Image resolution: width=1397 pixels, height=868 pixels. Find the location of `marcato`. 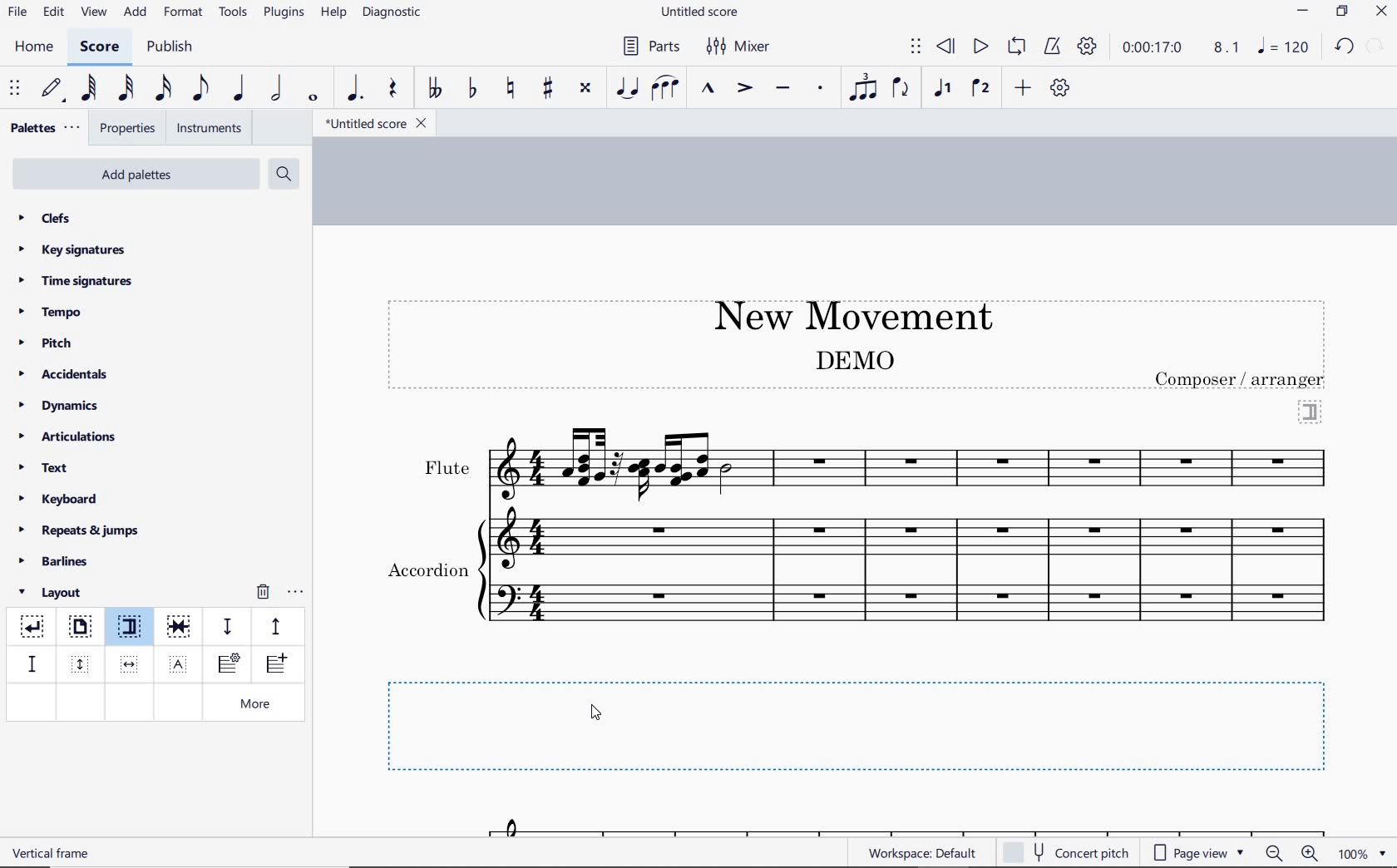

marcato is located at coordinates (710, 90).